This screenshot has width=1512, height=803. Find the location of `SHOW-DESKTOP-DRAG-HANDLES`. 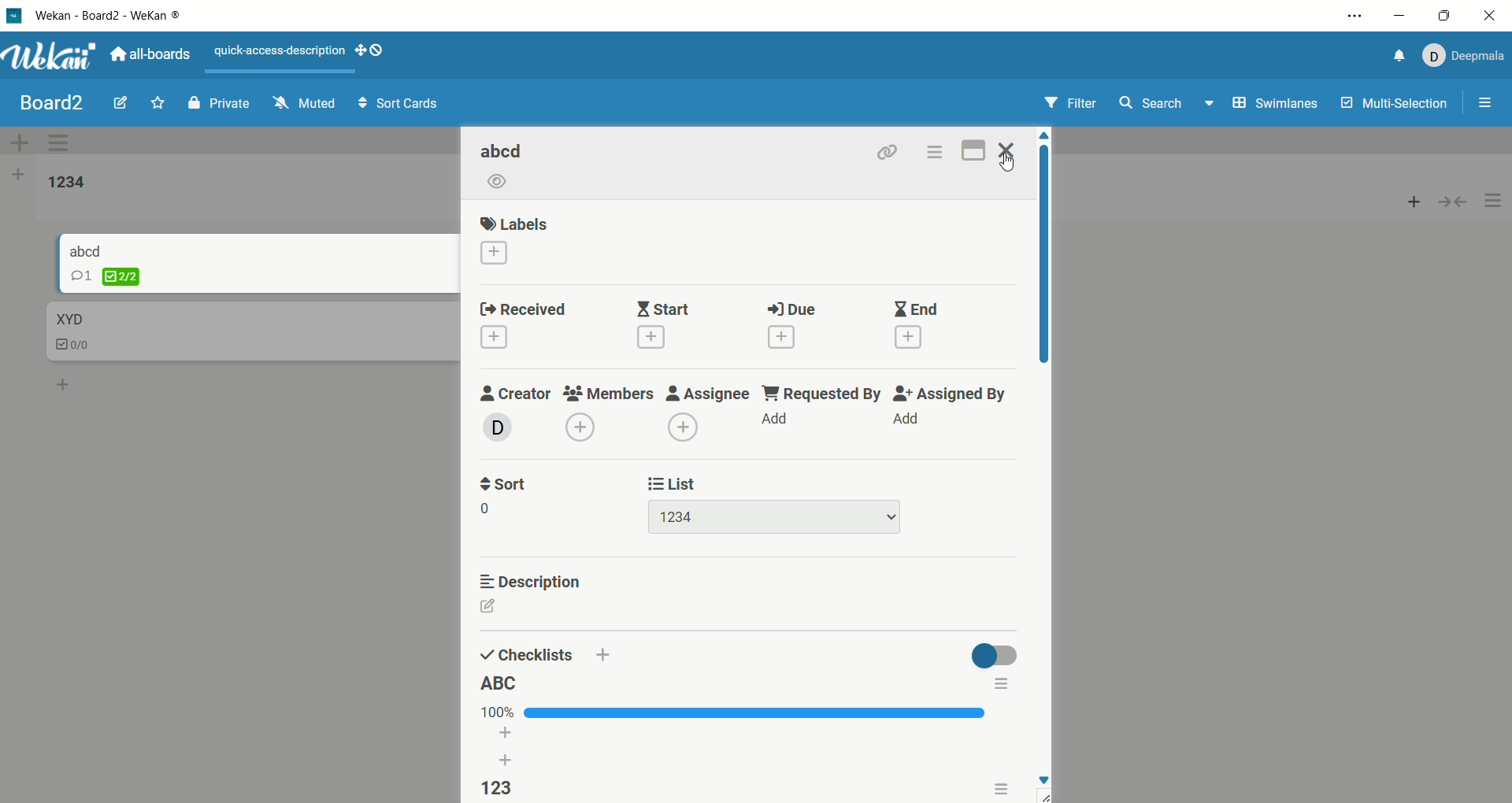

SHOW-DESKTOP-DRAG-HANDLES is located at coordinates (370, 51).